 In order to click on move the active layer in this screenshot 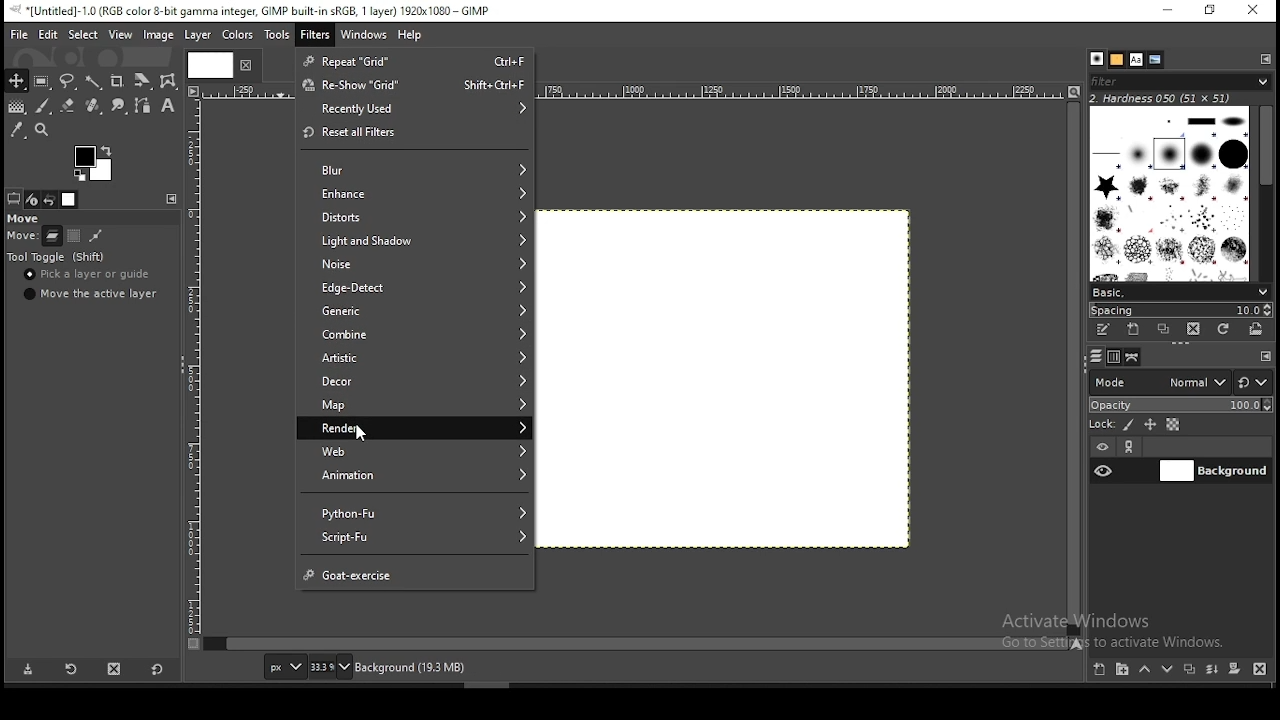, I will do `click(91, 294)`.